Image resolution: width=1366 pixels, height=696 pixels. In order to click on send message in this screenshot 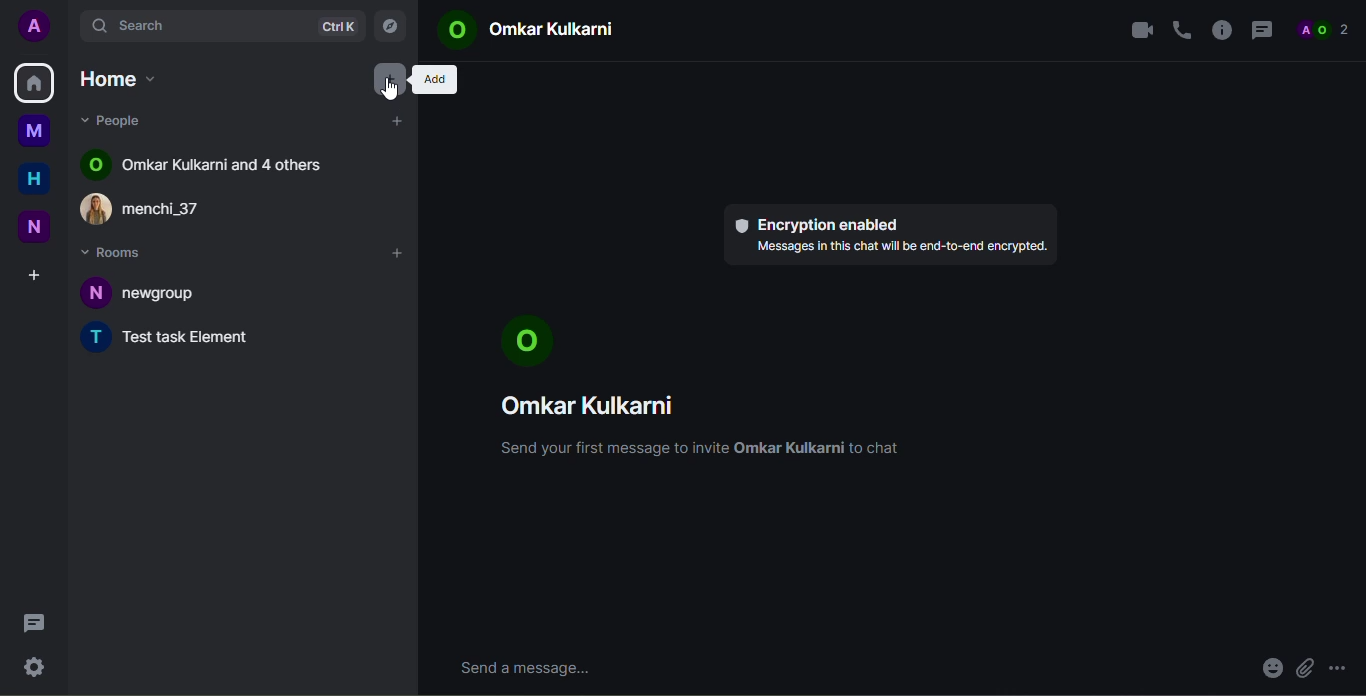, I will do `click(531, 668)`.